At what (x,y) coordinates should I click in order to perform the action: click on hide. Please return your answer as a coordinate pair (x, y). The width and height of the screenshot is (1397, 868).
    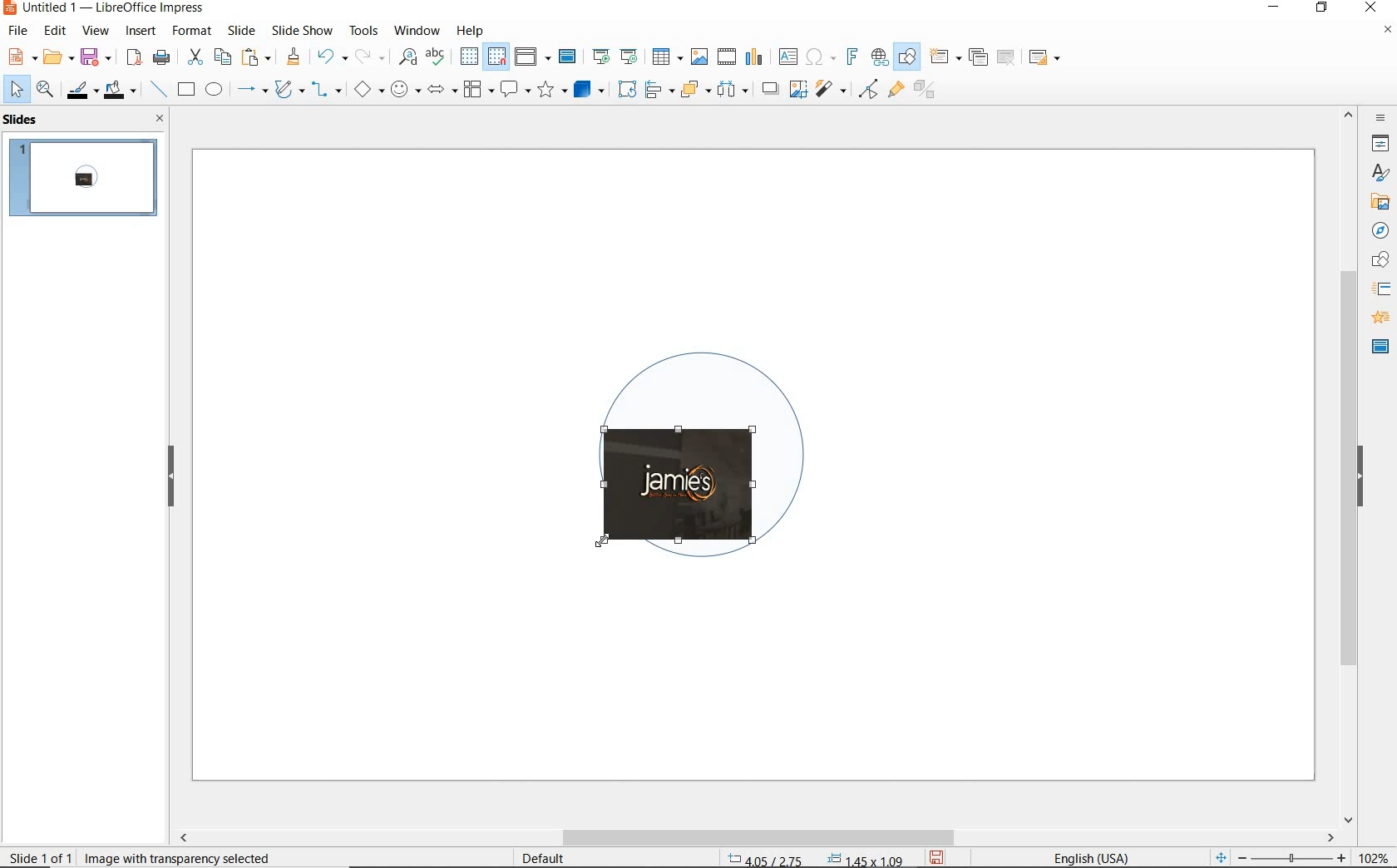
    Looking at the image, I should click on (171, 477).